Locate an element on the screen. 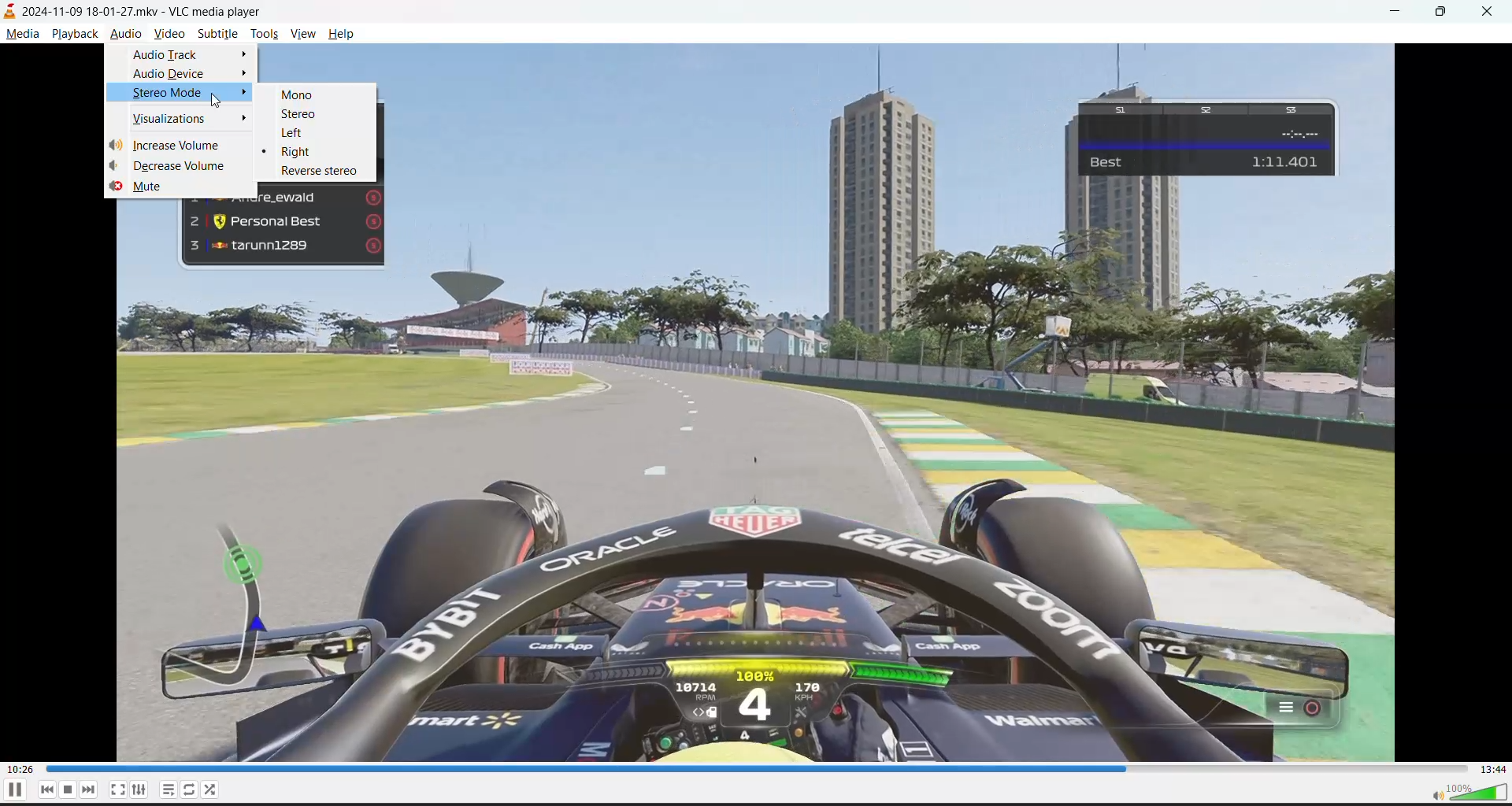 The height and width of the screenshot is (806, 1512). subtitle is located at coordinates (218, 34).